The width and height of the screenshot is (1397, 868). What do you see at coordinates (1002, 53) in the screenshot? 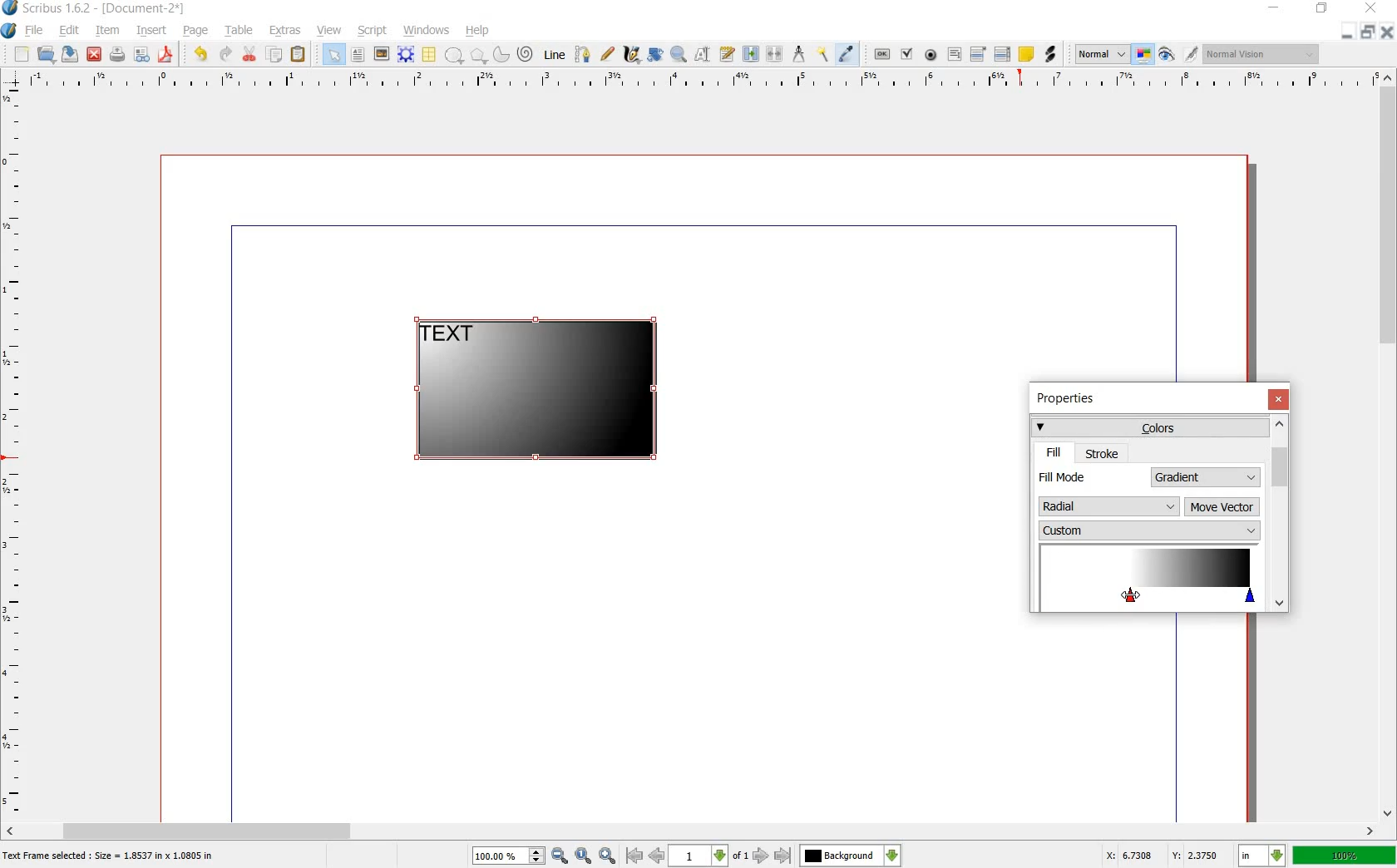
I see `pdf list box` at bounding box center [1002, 53].